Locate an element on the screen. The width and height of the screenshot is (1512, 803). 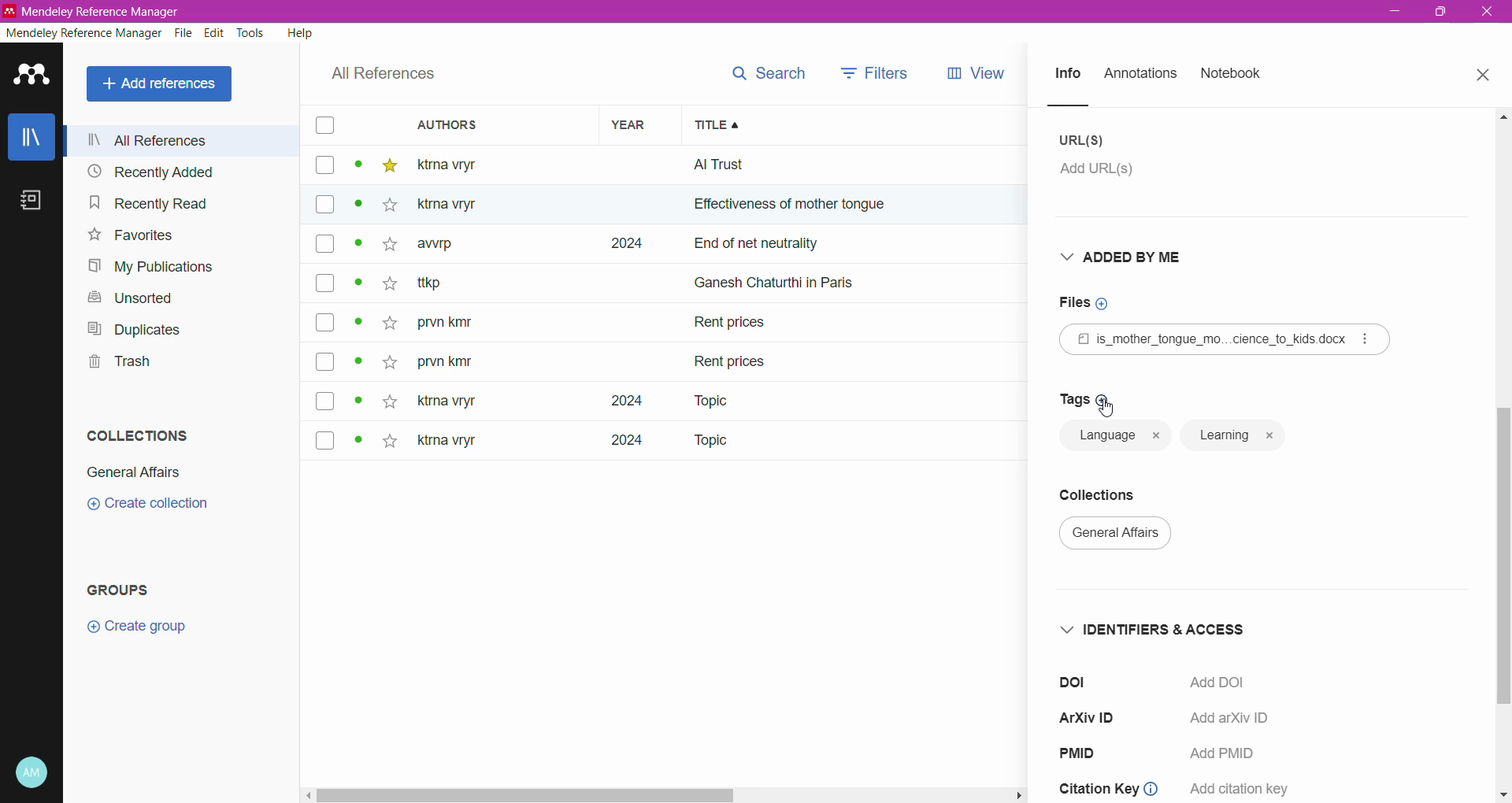
doi is located at coordinates (1077, 682).